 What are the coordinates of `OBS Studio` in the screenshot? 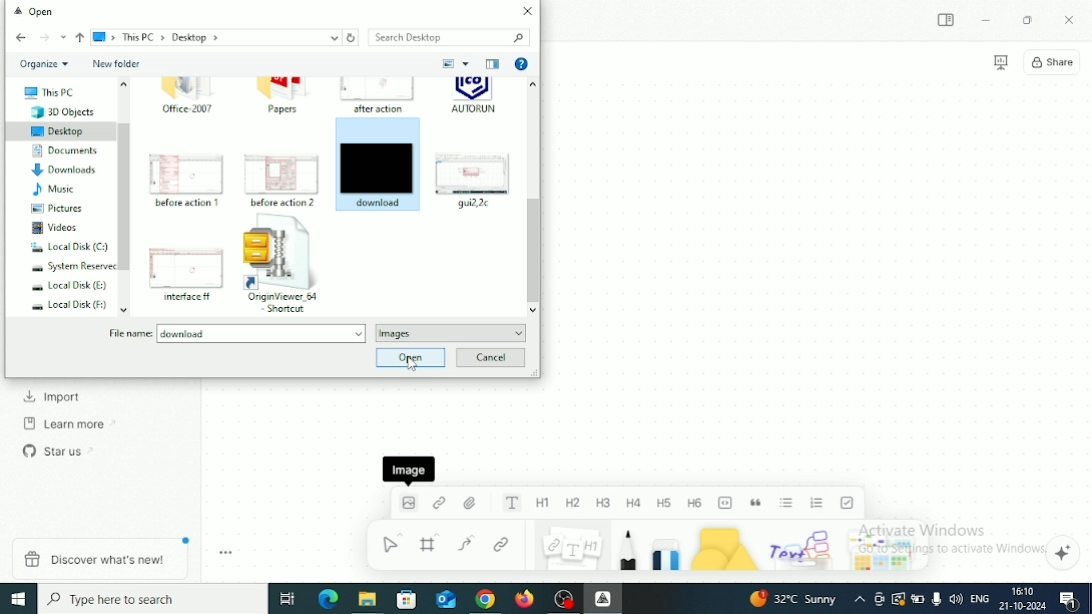 It's located at (564, 600).